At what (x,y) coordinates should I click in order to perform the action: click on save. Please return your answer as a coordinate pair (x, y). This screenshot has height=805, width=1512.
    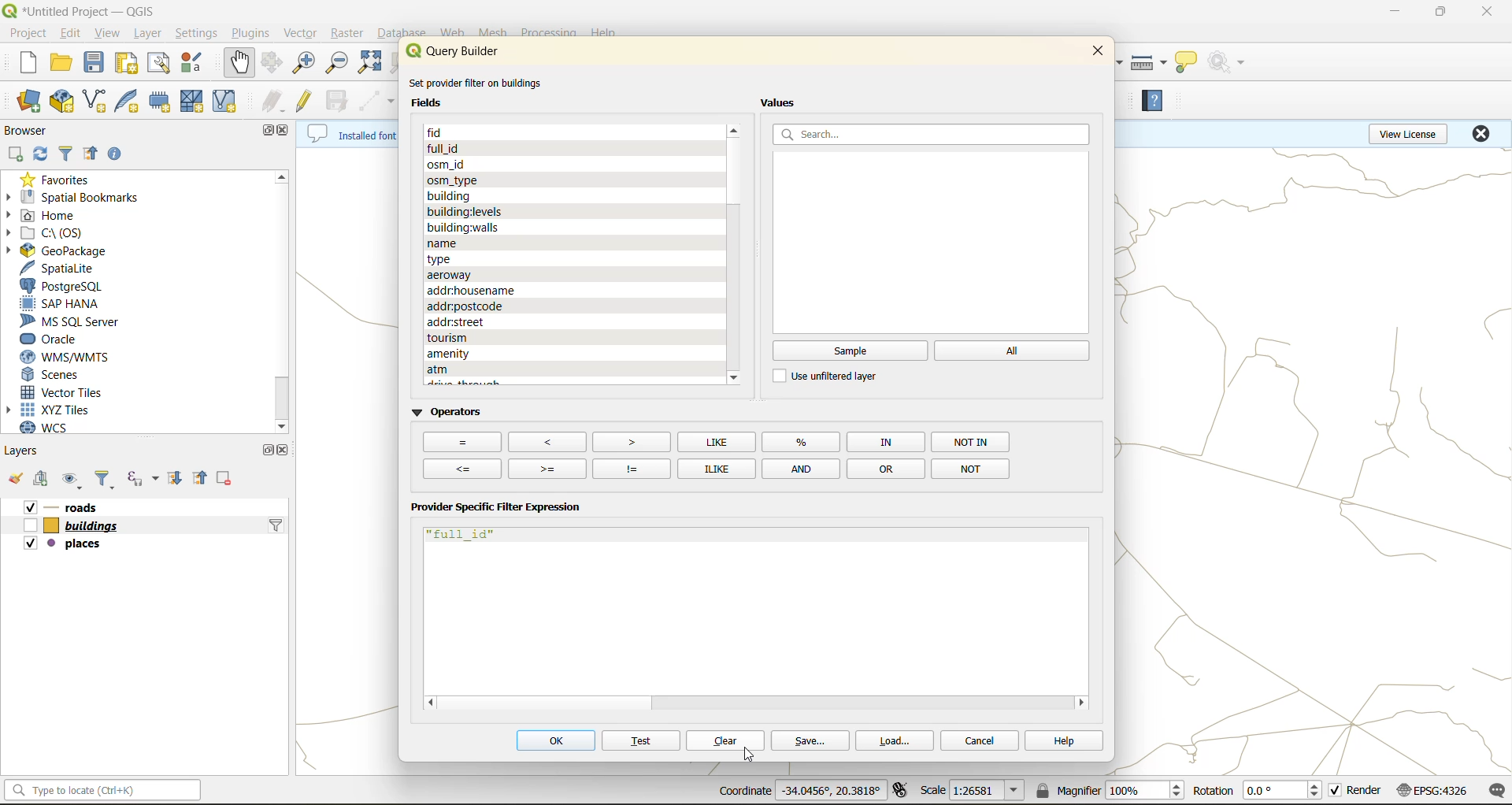
    Looking at the image, I should click on (98, 62).